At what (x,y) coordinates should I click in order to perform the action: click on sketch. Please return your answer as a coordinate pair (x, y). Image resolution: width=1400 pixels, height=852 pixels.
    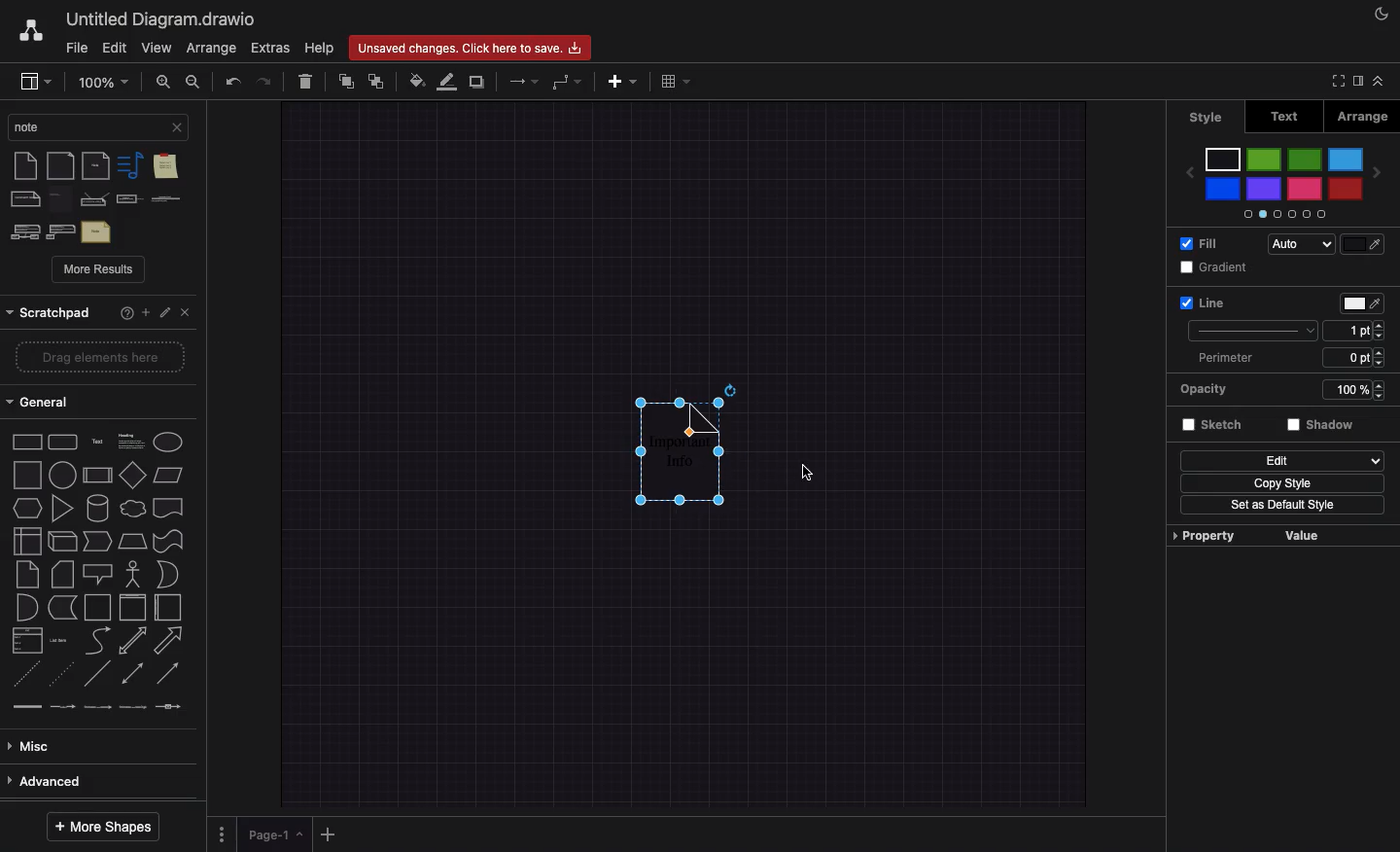
    Looking at the image, I should click on (1214, 427).